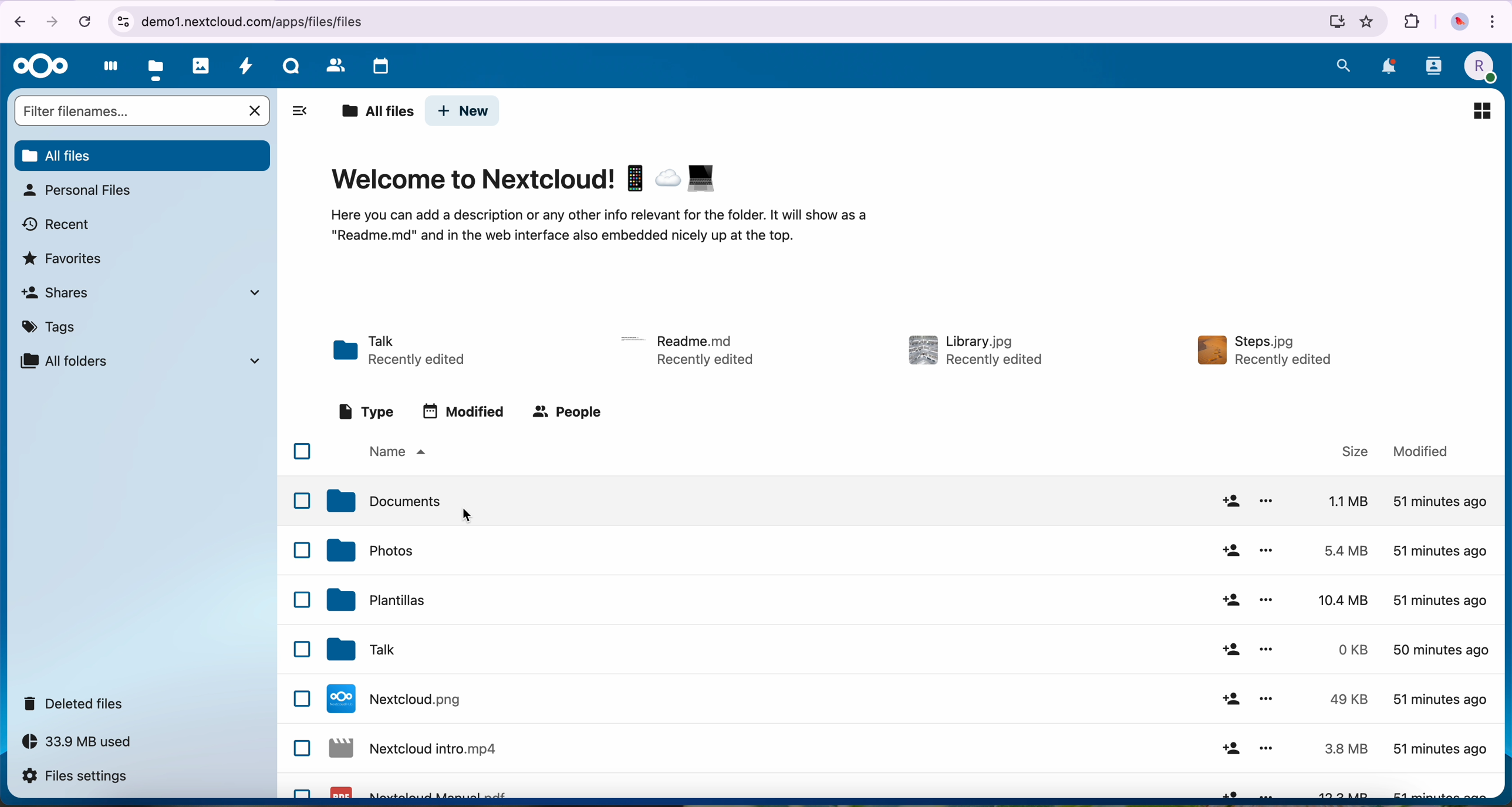 This screenshot has width=1512, height=807. Describe the element at coordinates (728, 22) in the screenshot. I see `url` at that location.